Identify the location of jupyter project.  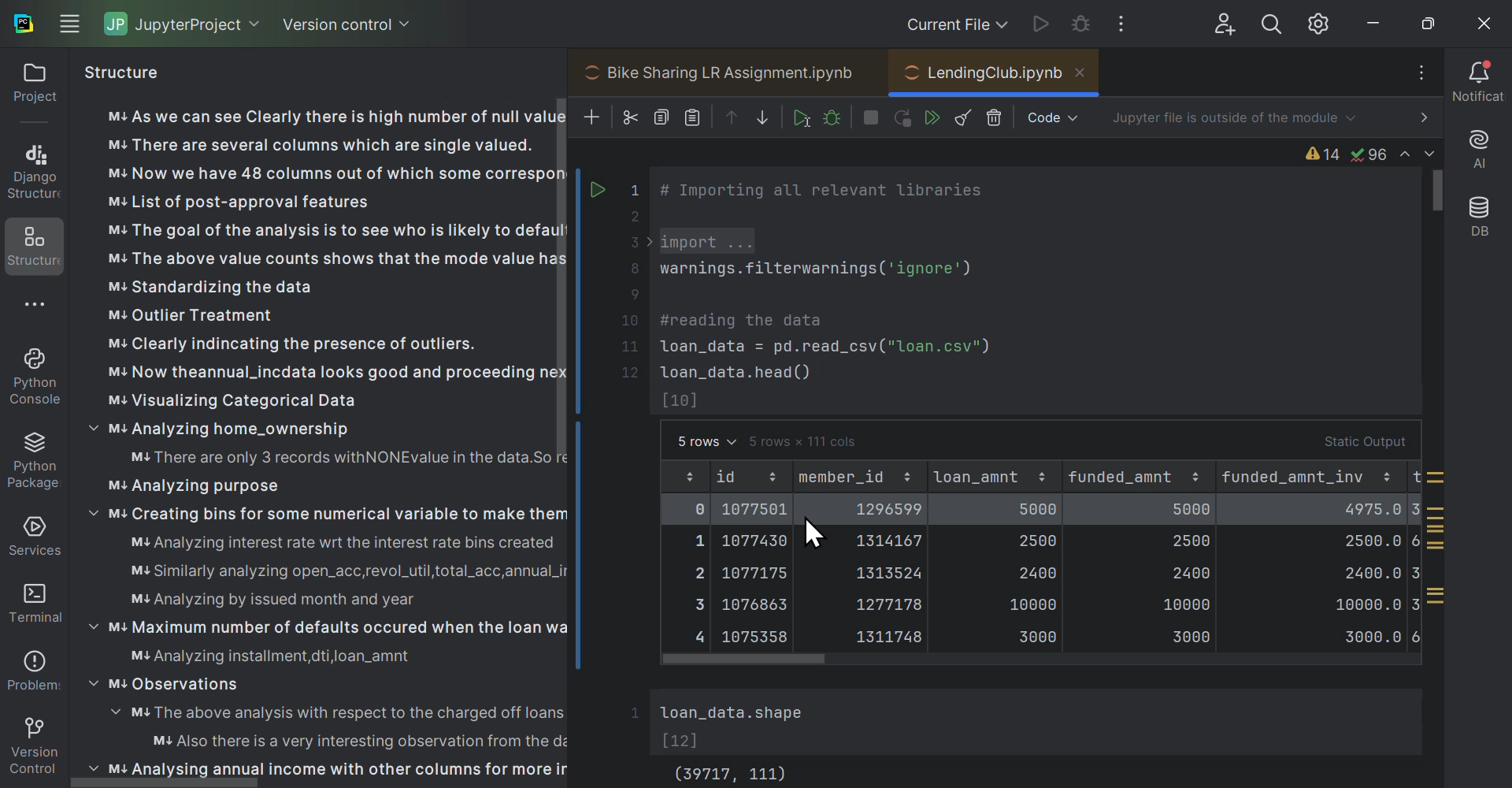
(187, 24).